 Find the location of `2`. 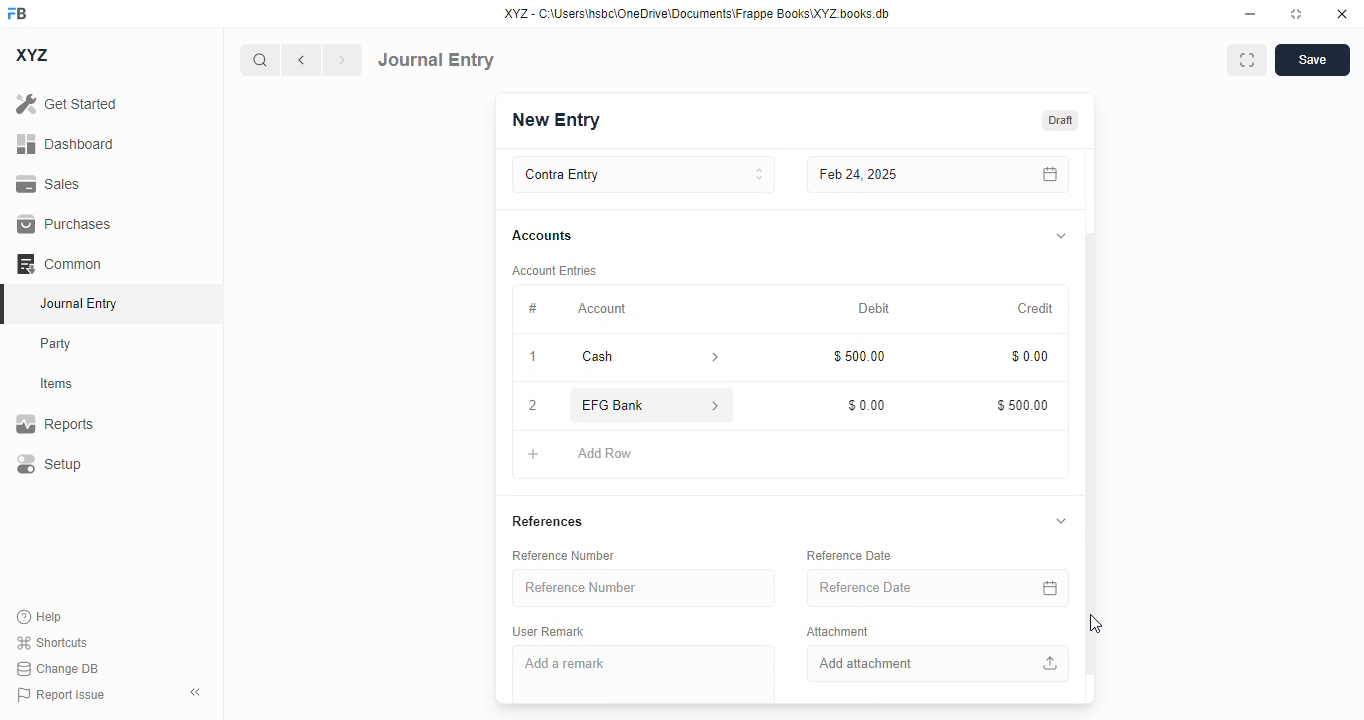

2 is located at coordinates (533, 406).